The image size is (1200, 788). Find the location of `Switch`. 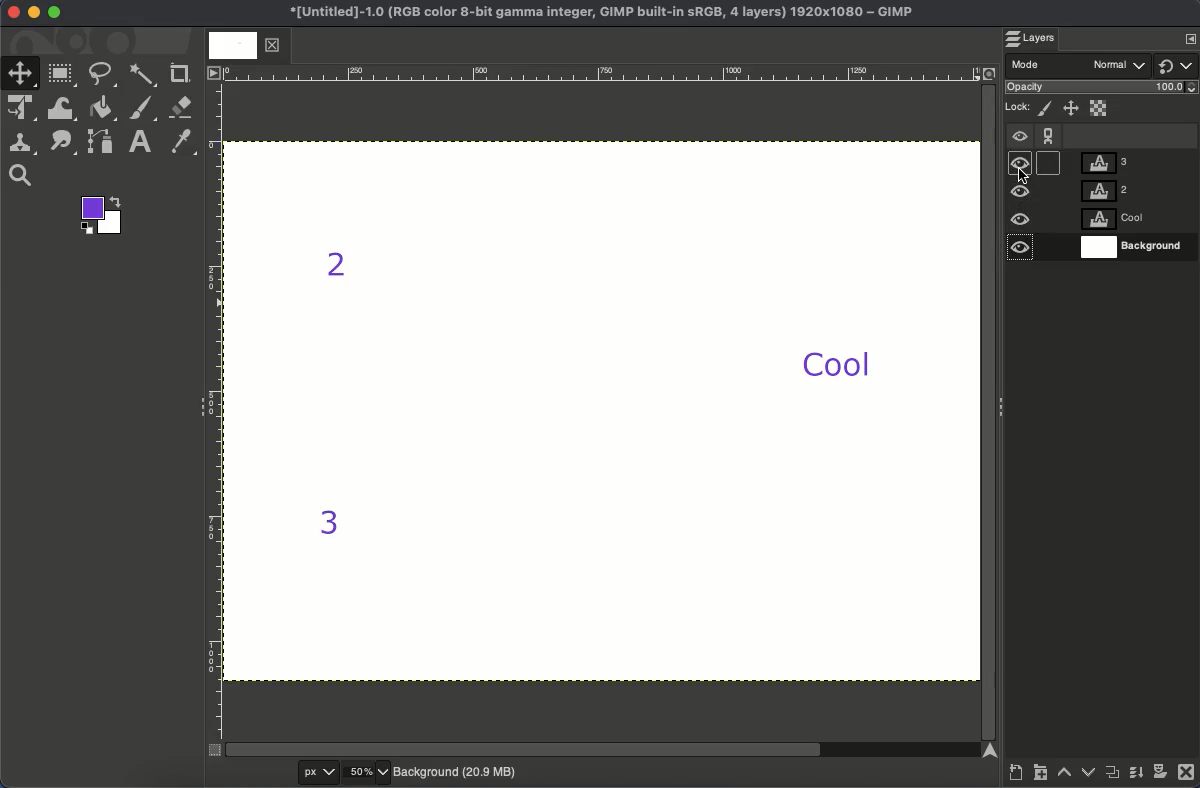

Switch is located at coordinates (1177, 65).